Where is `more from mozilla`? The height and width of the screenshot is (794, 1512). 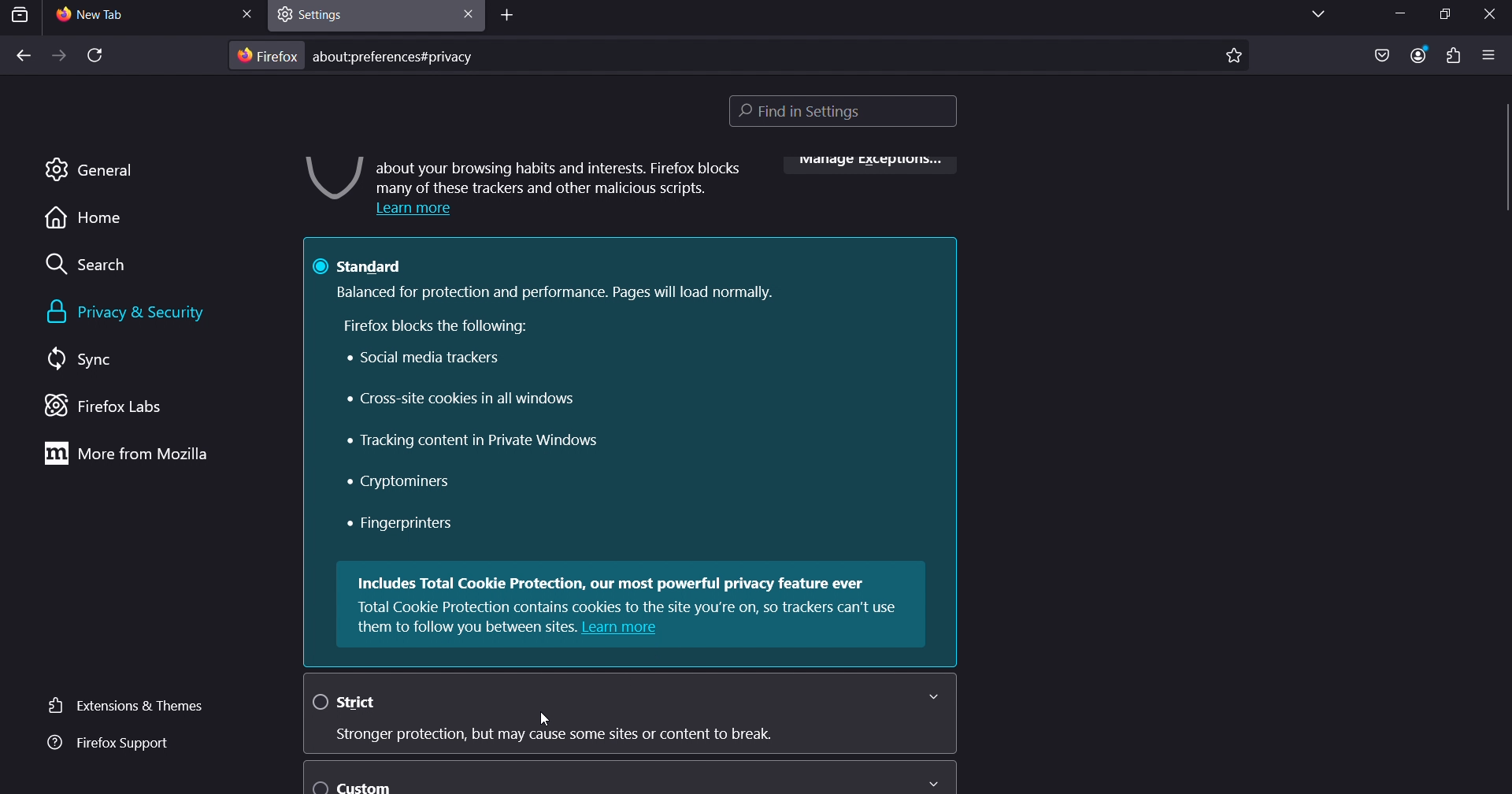 more from mozilla is located at coordinates (131, 455).